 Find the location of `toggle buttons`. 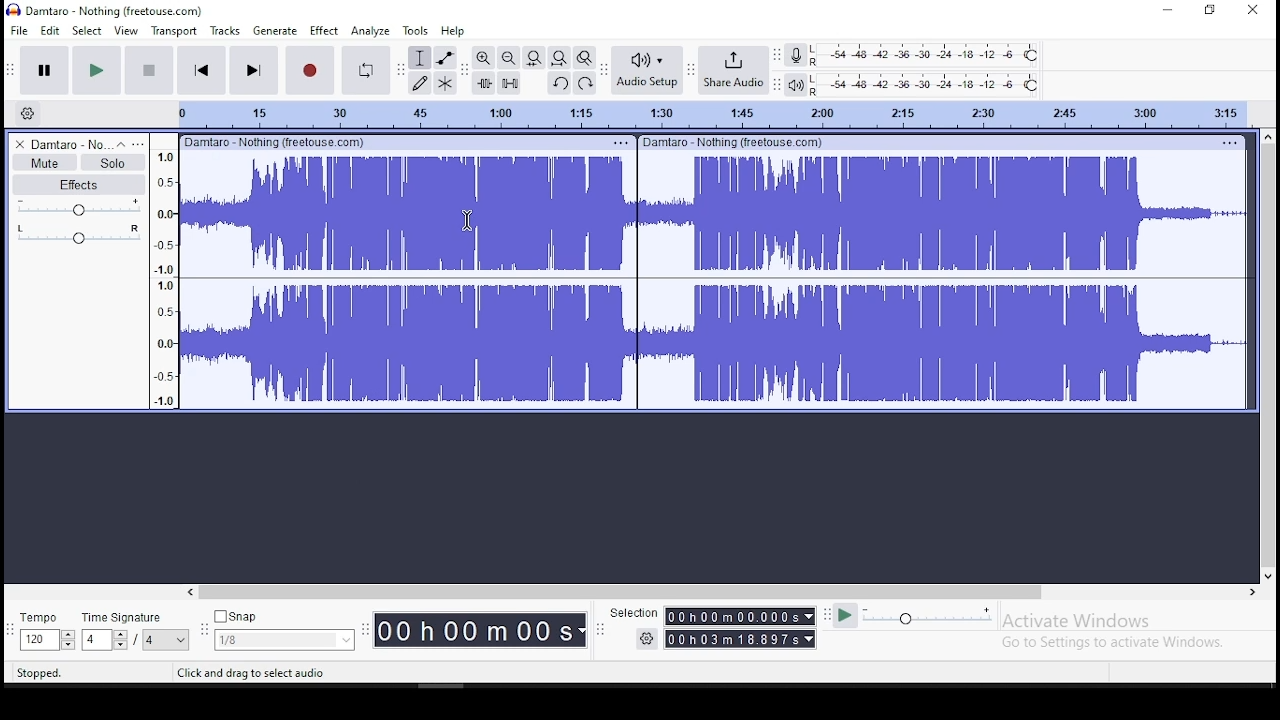

toggle buttons is located at coordinates (106, 640).